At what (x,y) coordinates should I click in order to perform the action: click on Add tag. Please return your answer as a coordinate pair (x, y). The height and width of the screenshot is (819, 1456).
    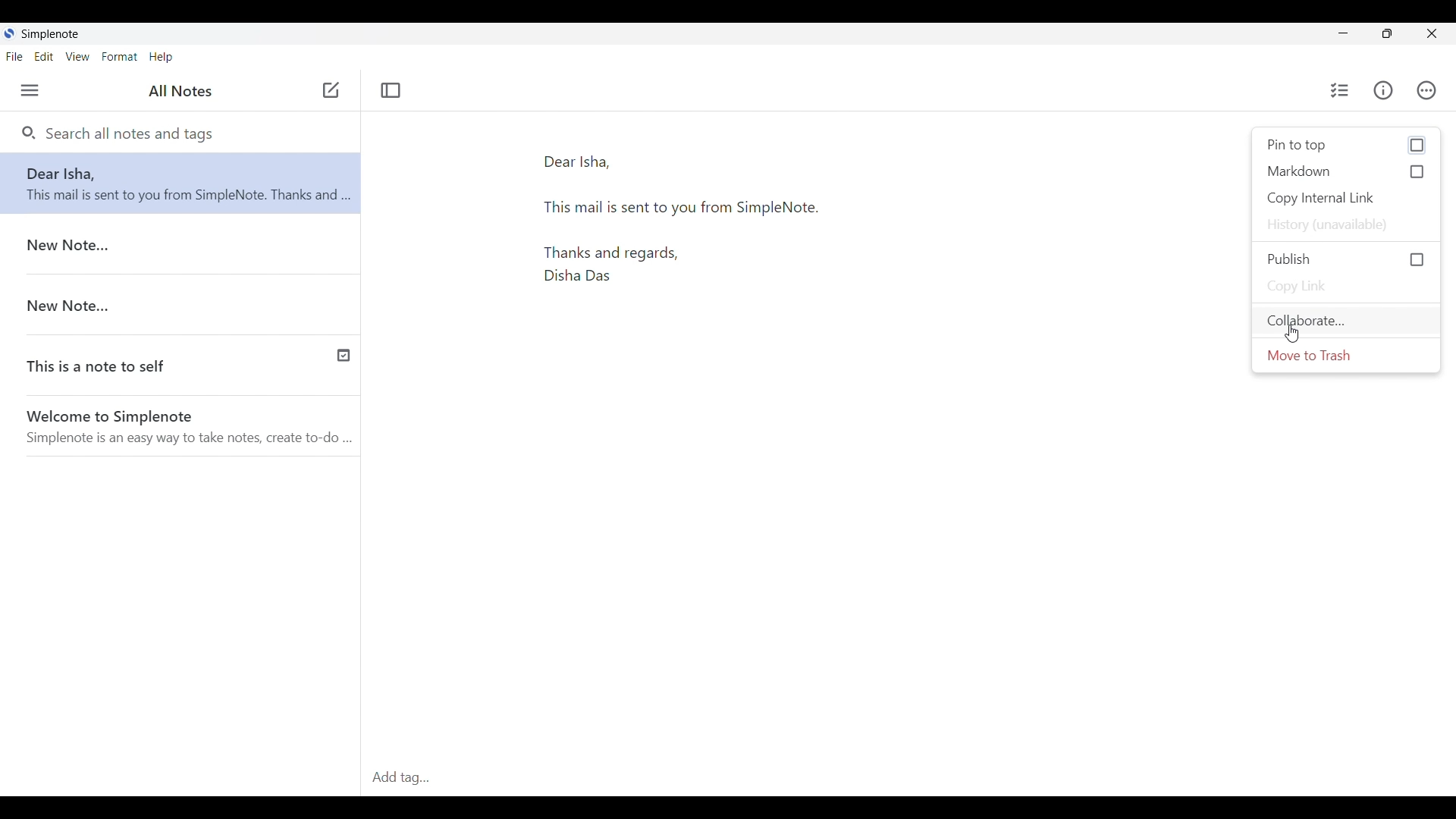
    Looking at the image, I should click on (905, 778).